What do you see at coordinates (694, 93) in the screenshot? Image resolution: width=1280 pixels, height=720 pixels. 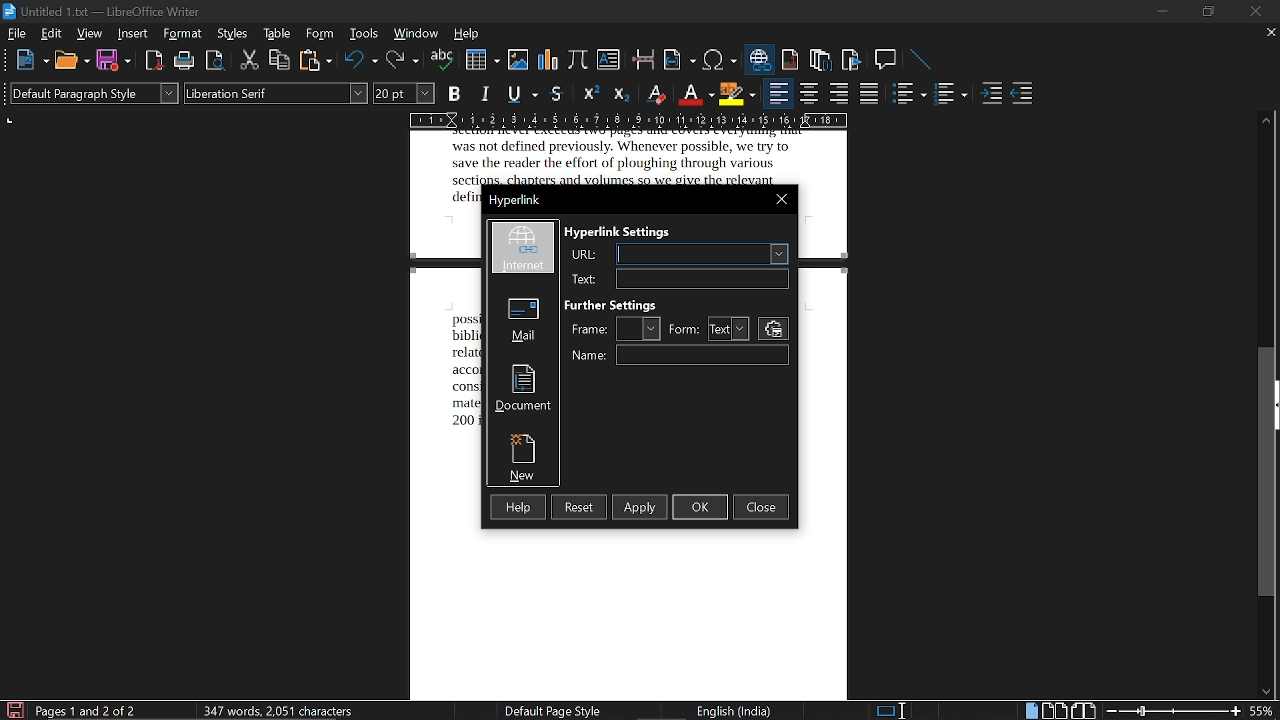 I see `font color` at bounding box center [694, 93].